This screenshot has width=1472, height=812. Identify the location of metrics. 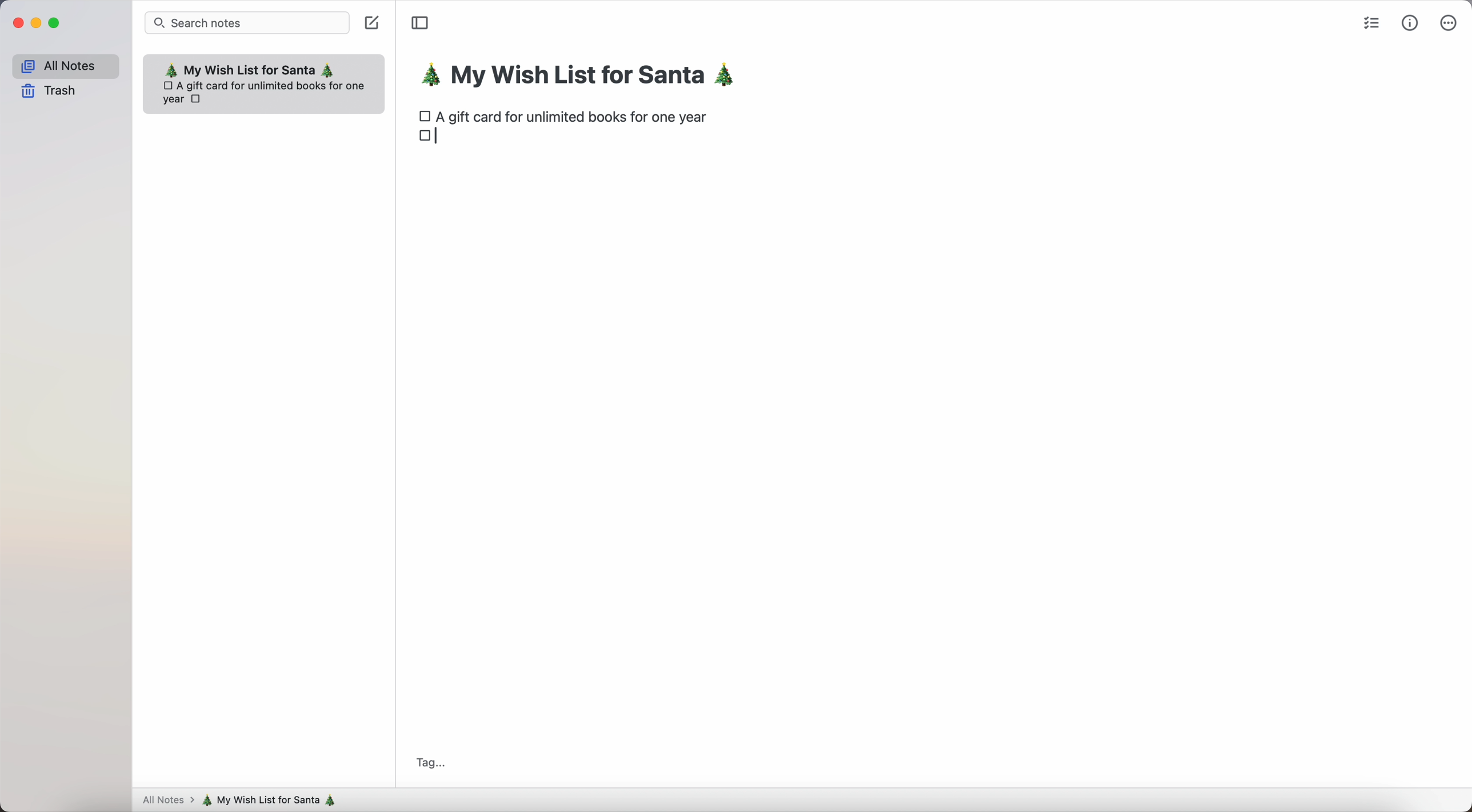
(1410, 22).